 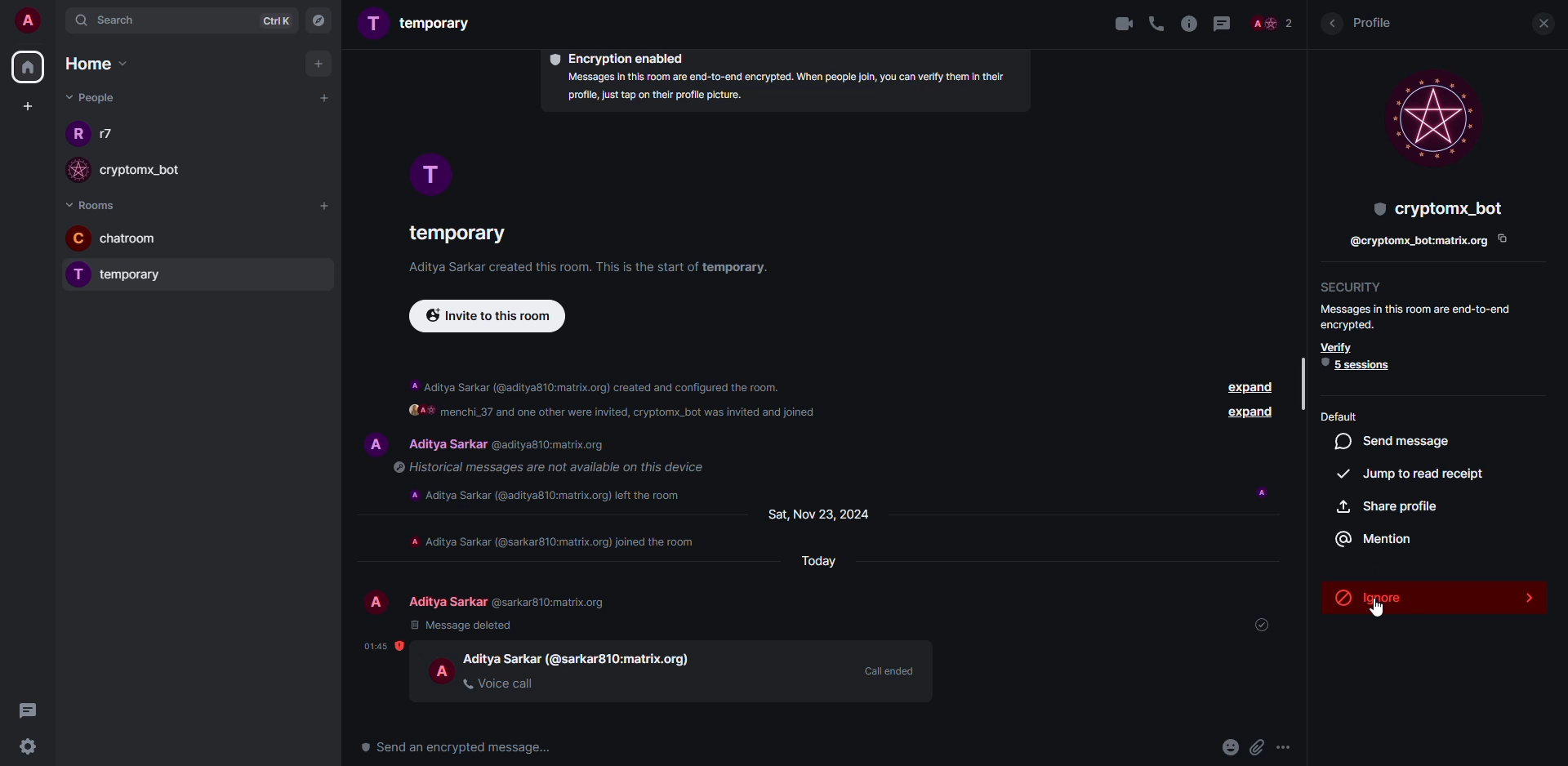 What do you see at coordinates (1540, 24) in the screenshot?
I see `close` at bounding box center [1540, 24].